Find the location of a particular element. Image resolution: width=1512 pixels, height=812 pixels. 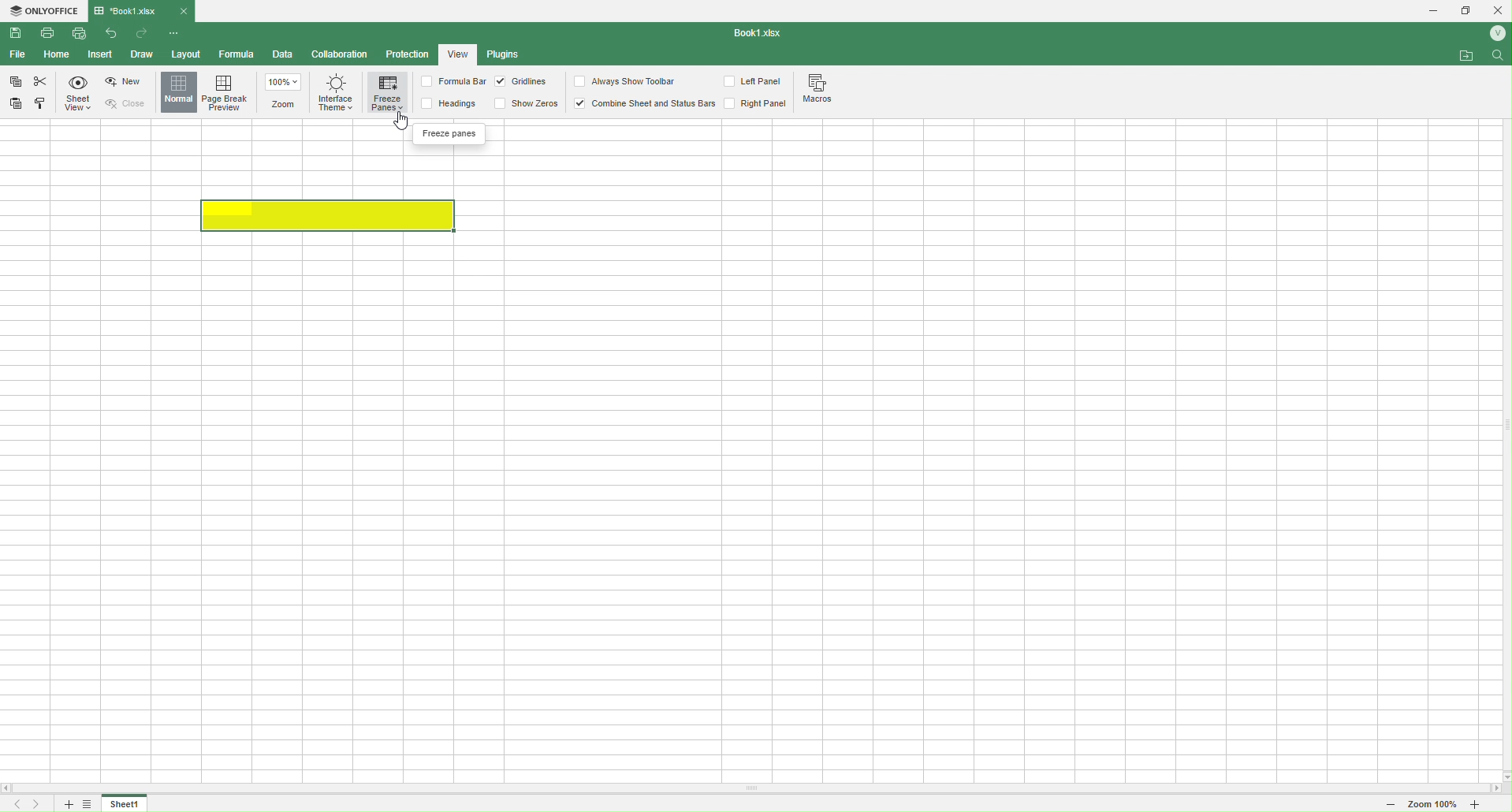

Sheet 1 is located at coordinates (125, 804).